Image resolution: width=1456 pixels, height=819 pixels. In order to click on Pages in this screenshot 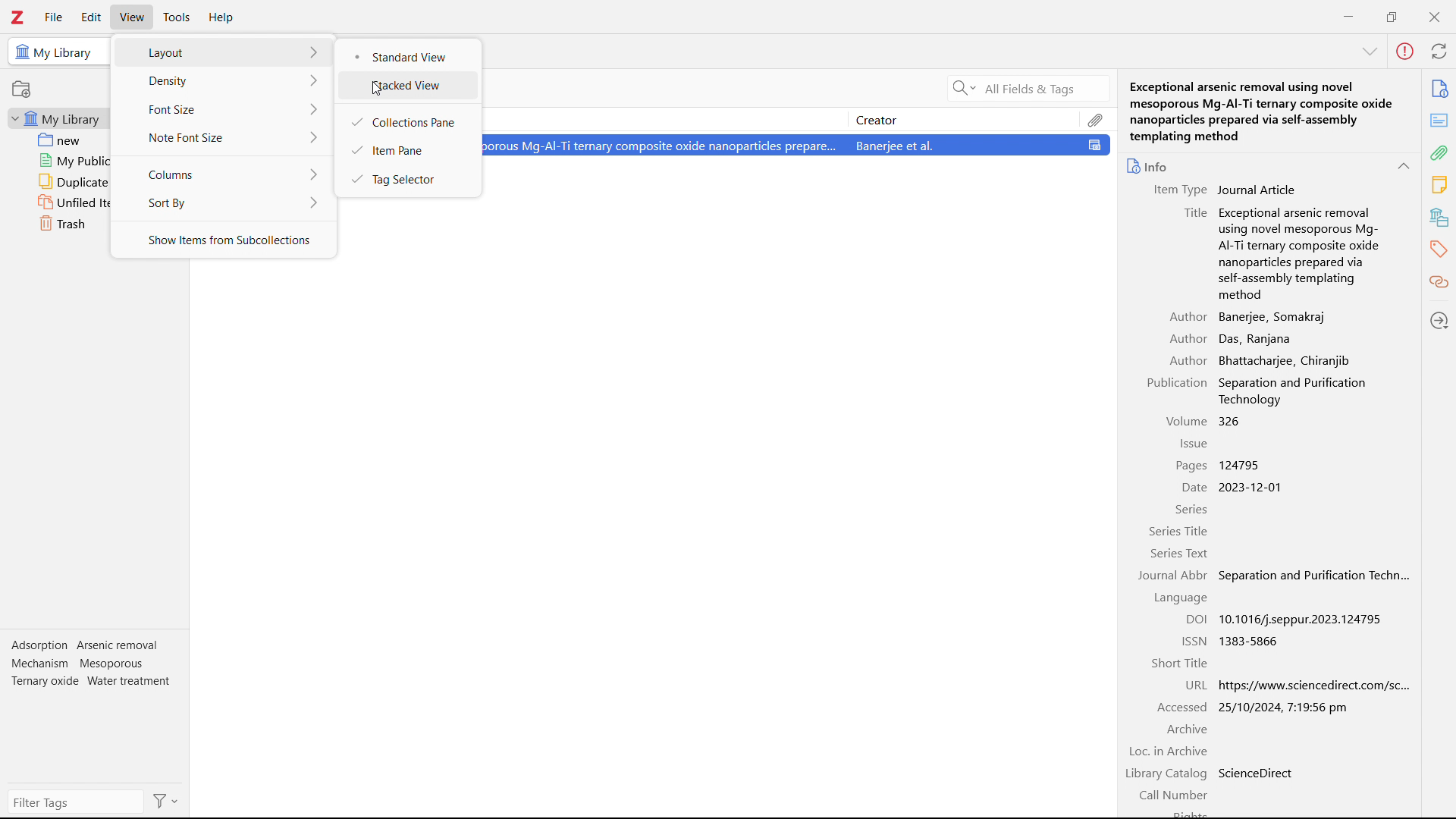, I will do `click(1191, 466)`.